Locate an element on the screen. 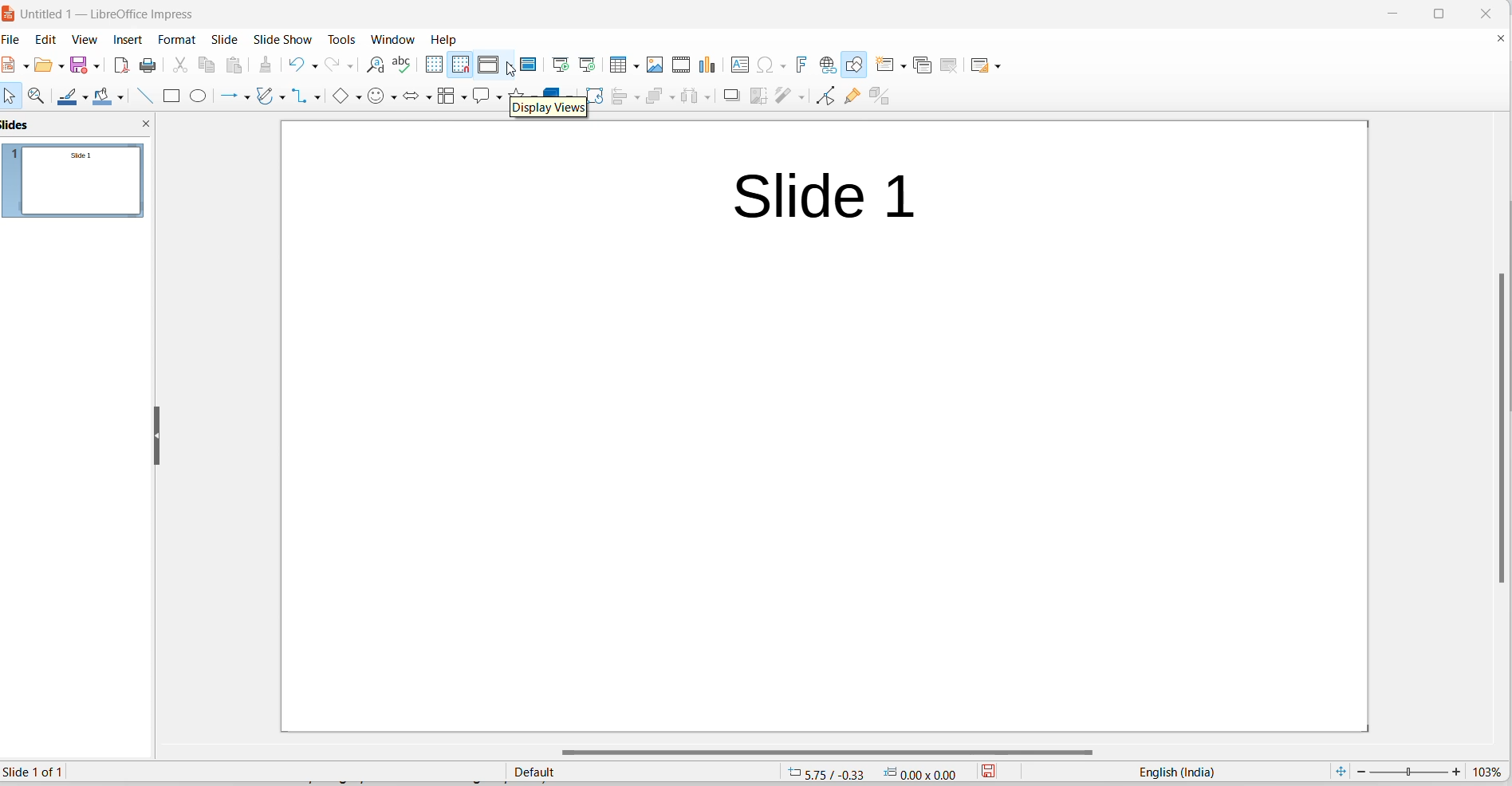 The height and width of the screenshot is (786, 1512). crop an image is located at coordinates (755, 98).